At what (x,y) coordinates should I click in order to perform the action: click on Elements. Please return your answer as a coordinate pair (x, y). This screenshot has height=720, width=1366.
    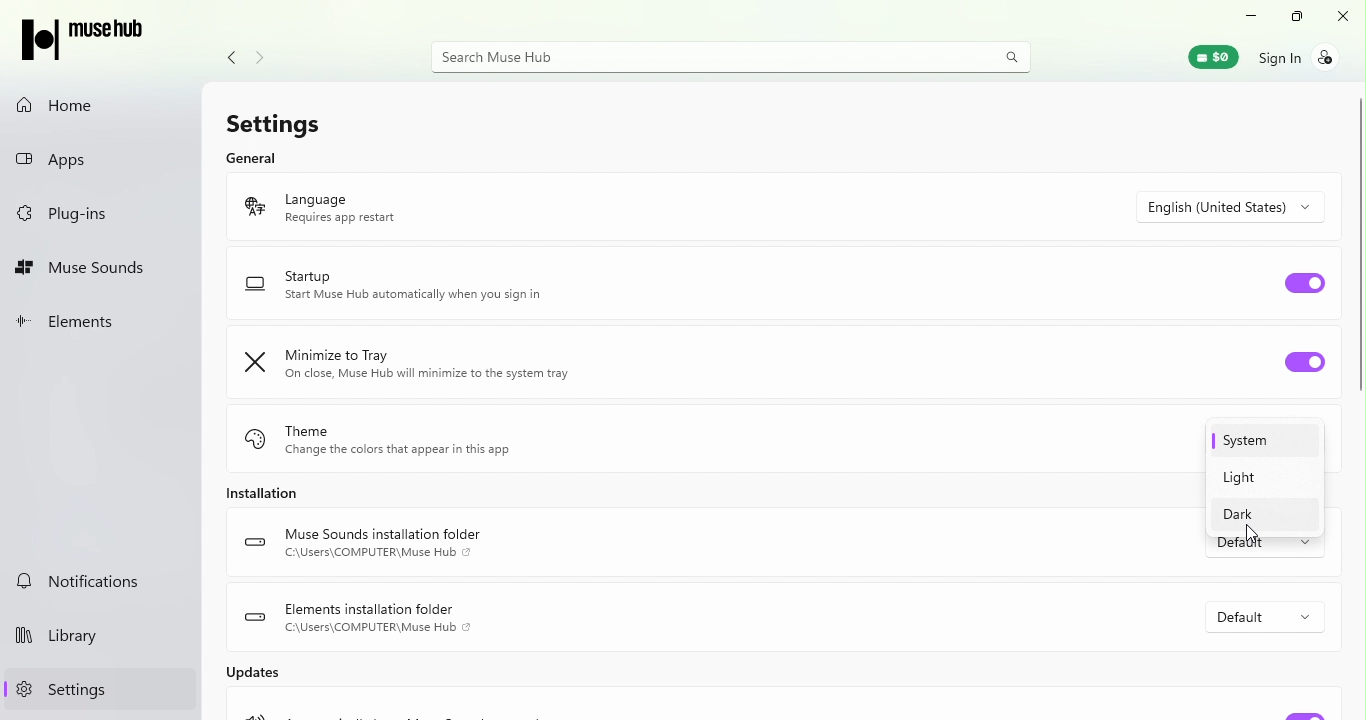
    Looking at the image, I should click on (69, 319).